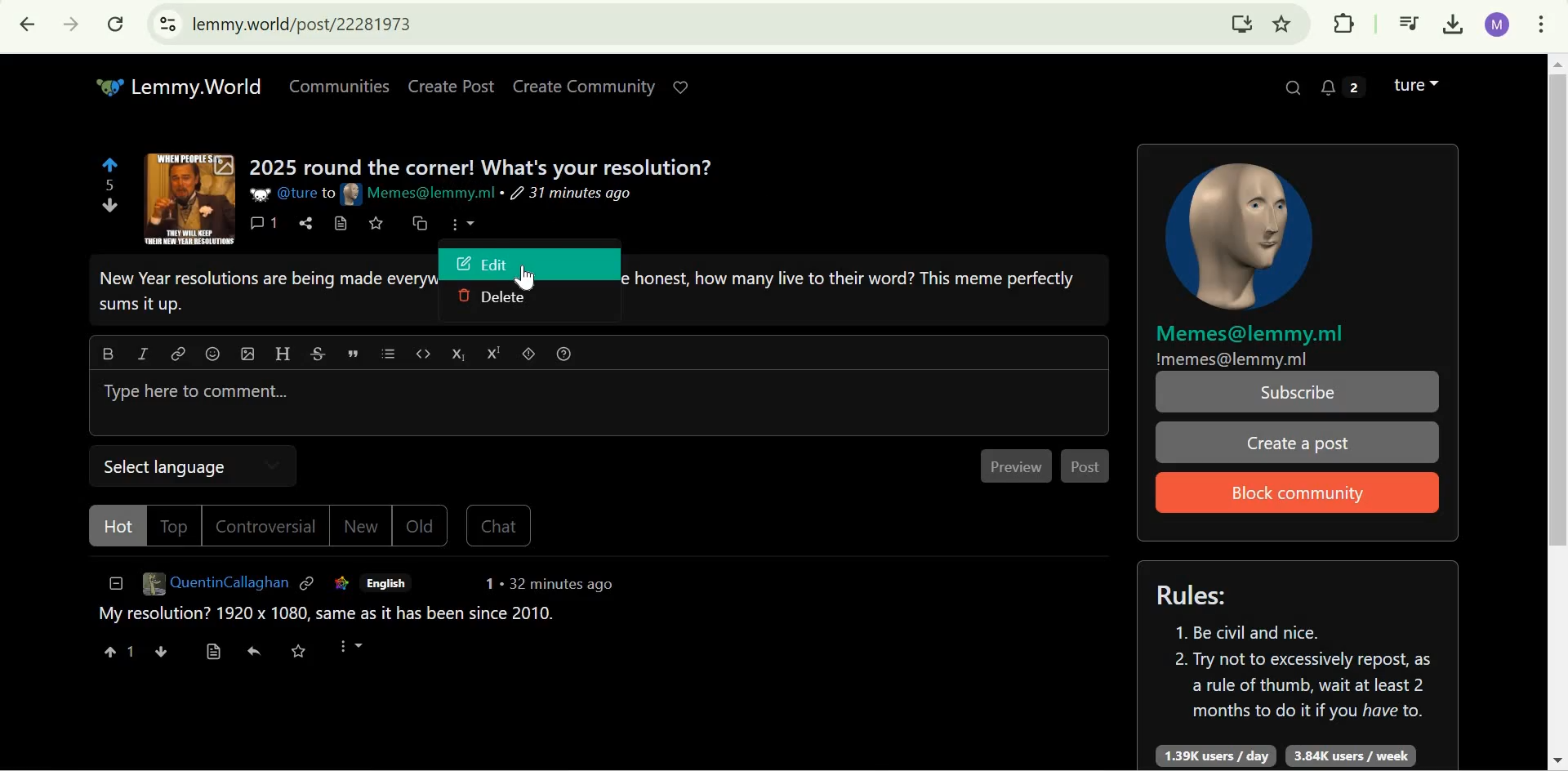 The image size is (1568, 771). What do you see at coordinates (177, 526) in the screenshot?
I see `Top` at bounding box center [177, 526].